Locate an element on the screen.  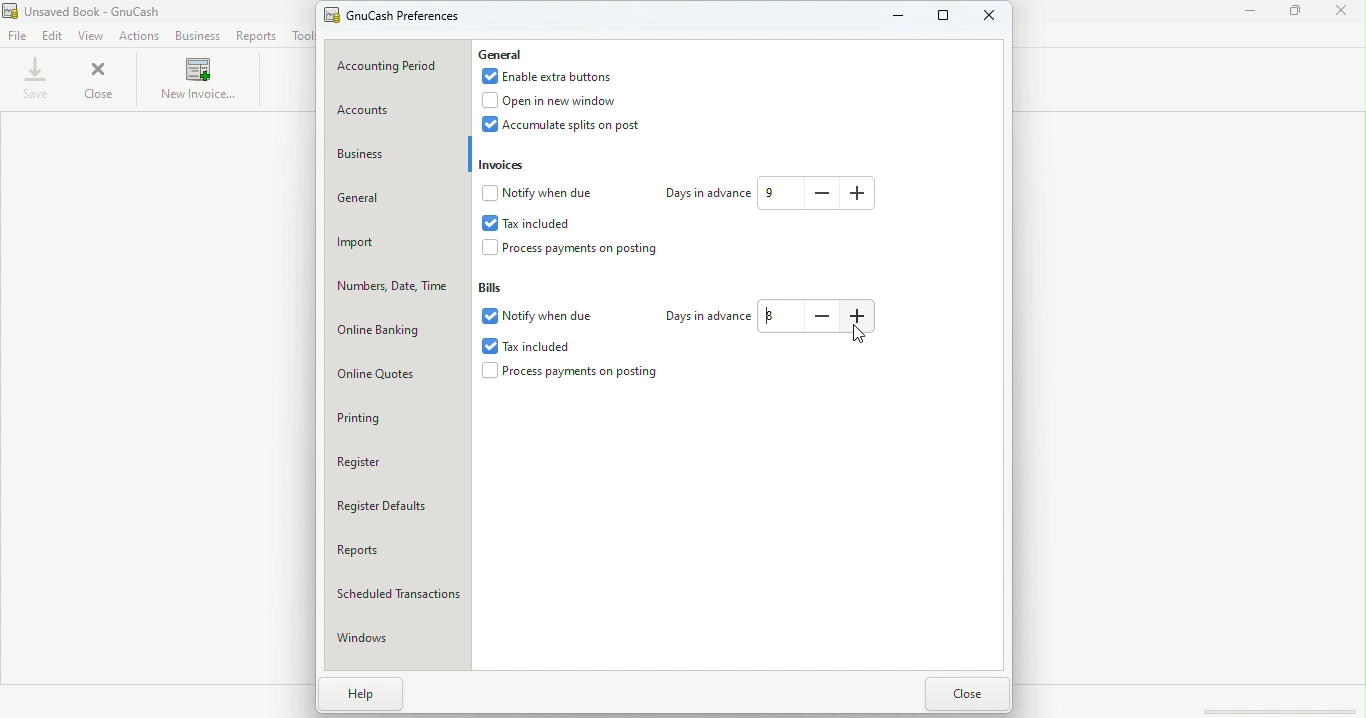
Windows is located at coordinates (396, 638).